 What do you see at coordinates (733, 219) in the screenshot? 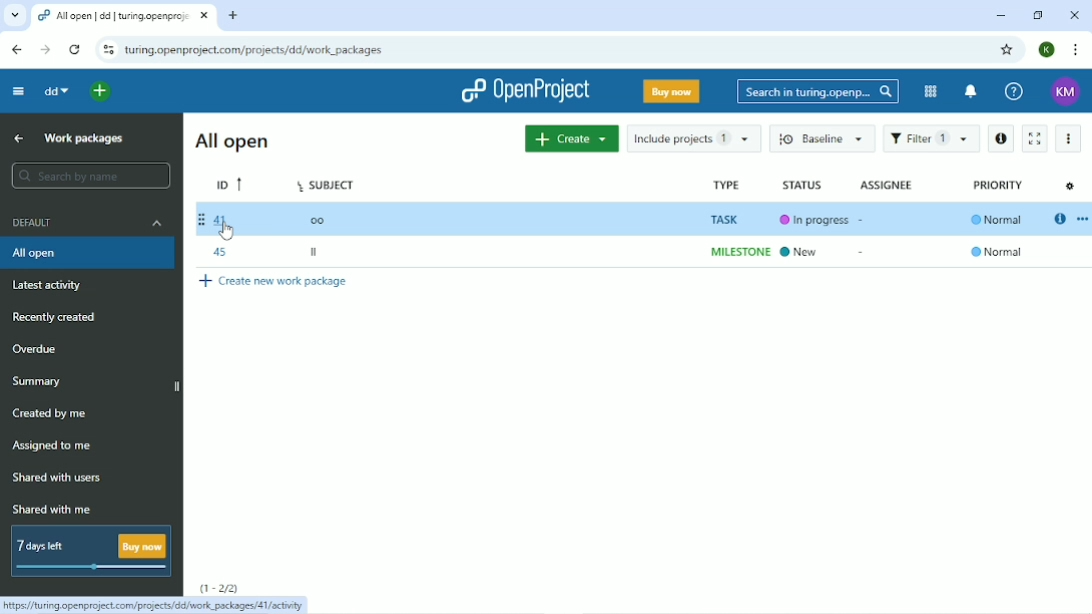
I see `Type` at bounding box center [733, 219].